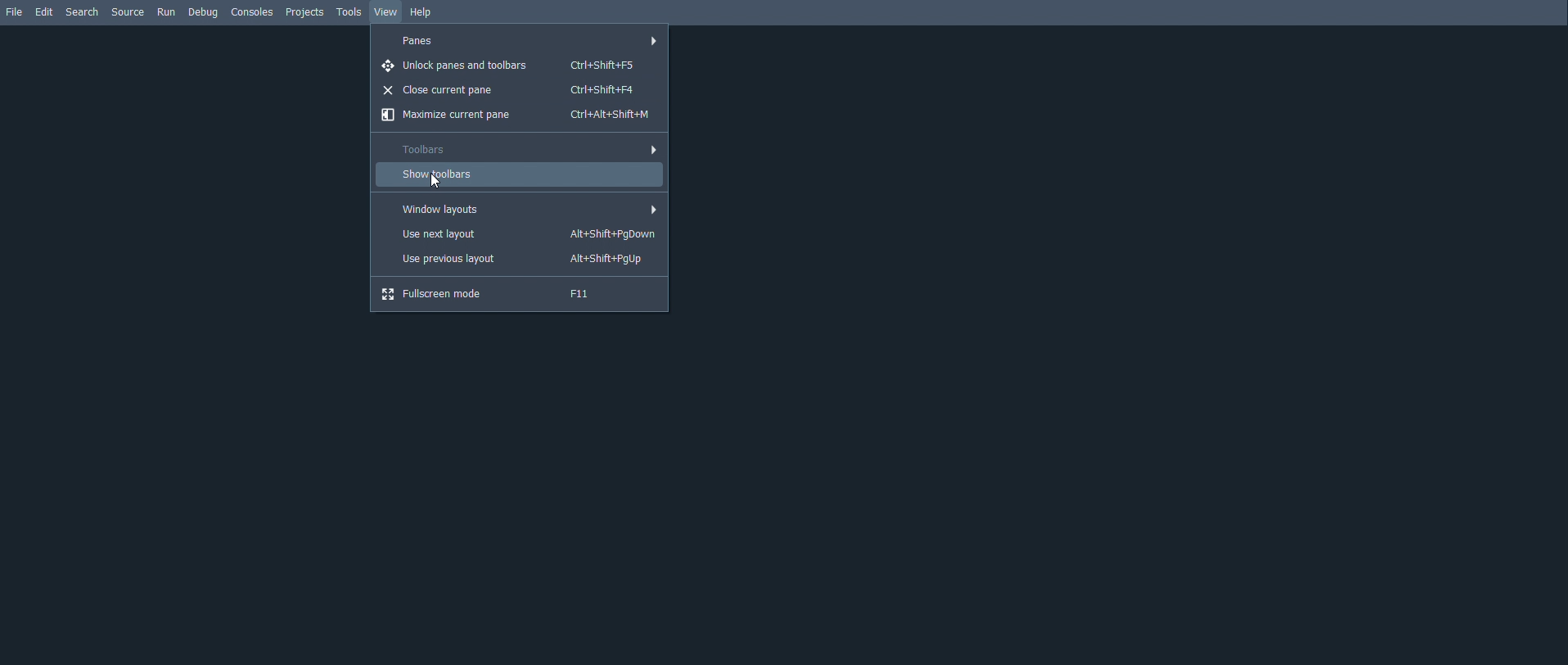 This screenshot has height=665, width=1568. What do you see at coordinates (516, 259) in the screenshot?
I see `Use previous layout` at bounding box center [516, 259].